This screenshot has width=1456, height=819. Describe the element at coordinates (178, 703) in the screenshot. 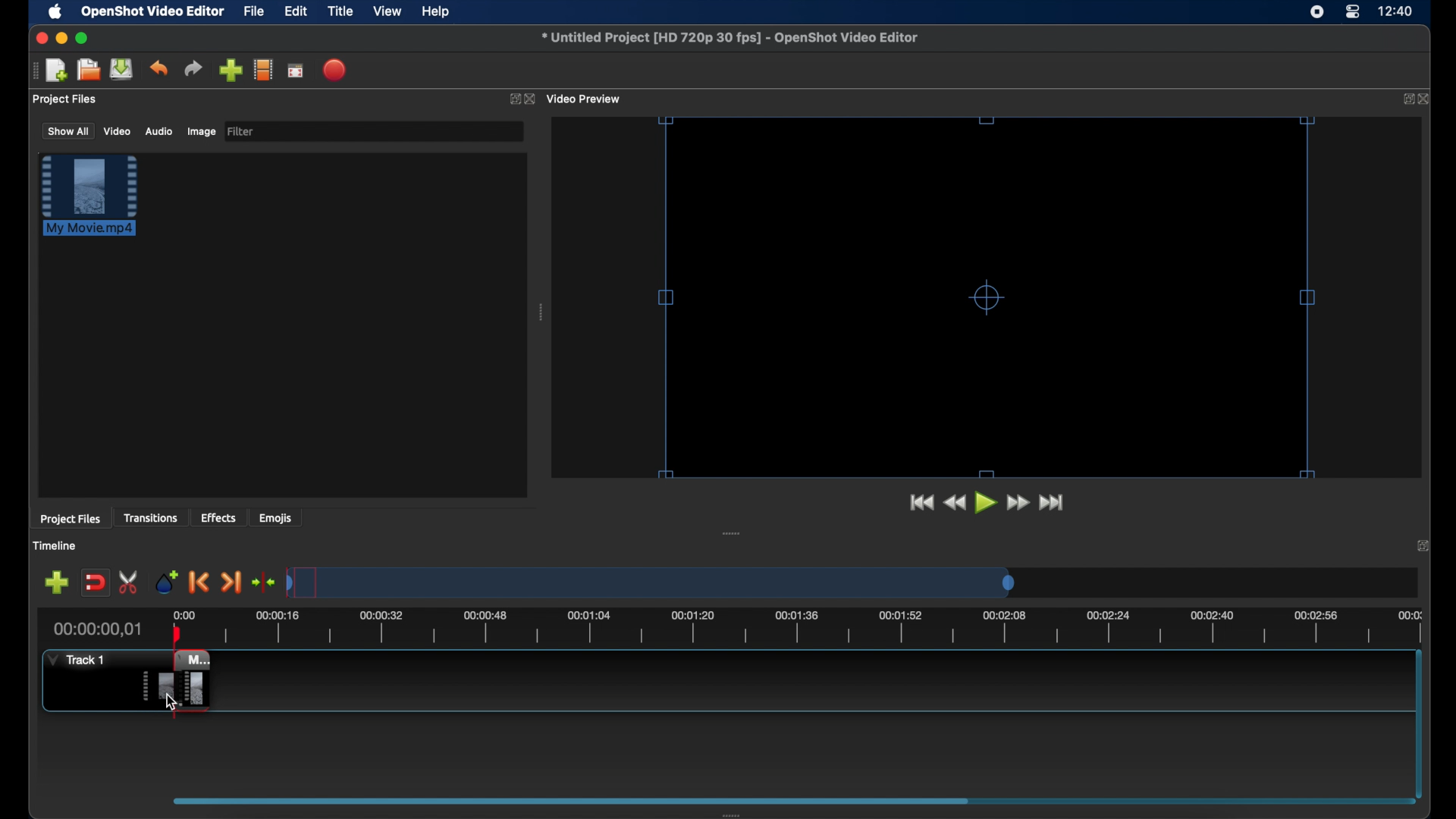

I see `cursor` at that location.